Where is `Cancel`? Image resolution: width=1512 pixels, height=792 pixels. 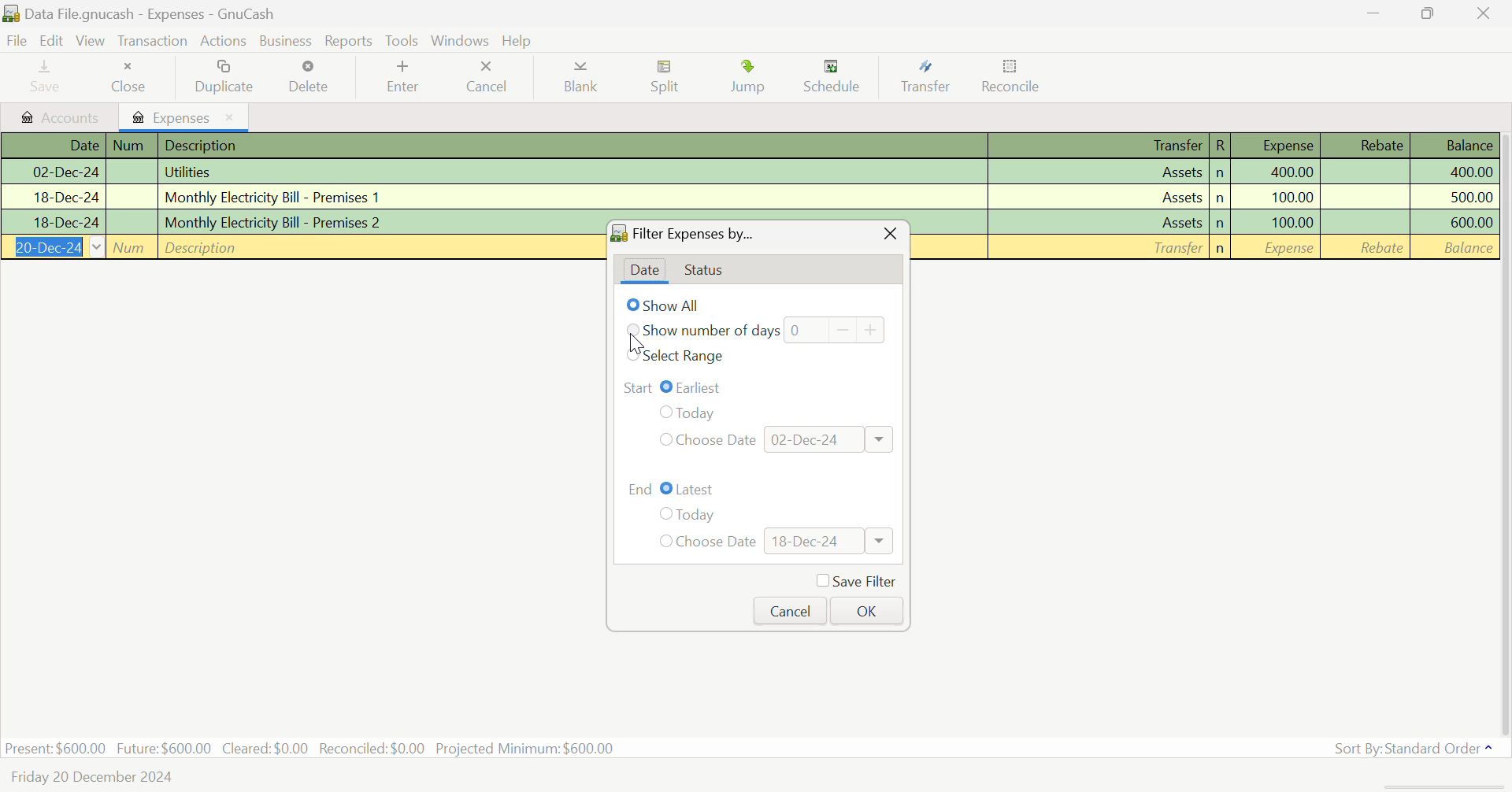 Cancel is located at coordinates (491, 79).